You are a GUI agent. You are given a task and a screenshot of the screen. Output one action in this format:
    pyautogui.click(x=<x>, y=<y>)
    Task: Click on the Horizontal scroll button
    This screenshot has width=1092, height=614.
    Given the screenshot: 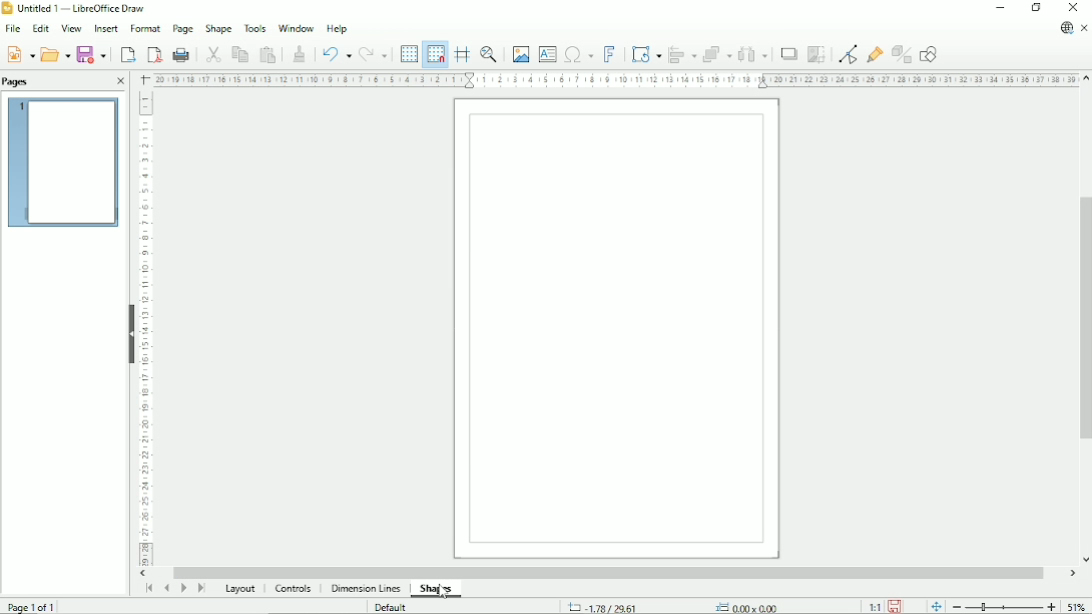 What is the action you would take?
    pyautogui.click(x=1072, y=573)
    